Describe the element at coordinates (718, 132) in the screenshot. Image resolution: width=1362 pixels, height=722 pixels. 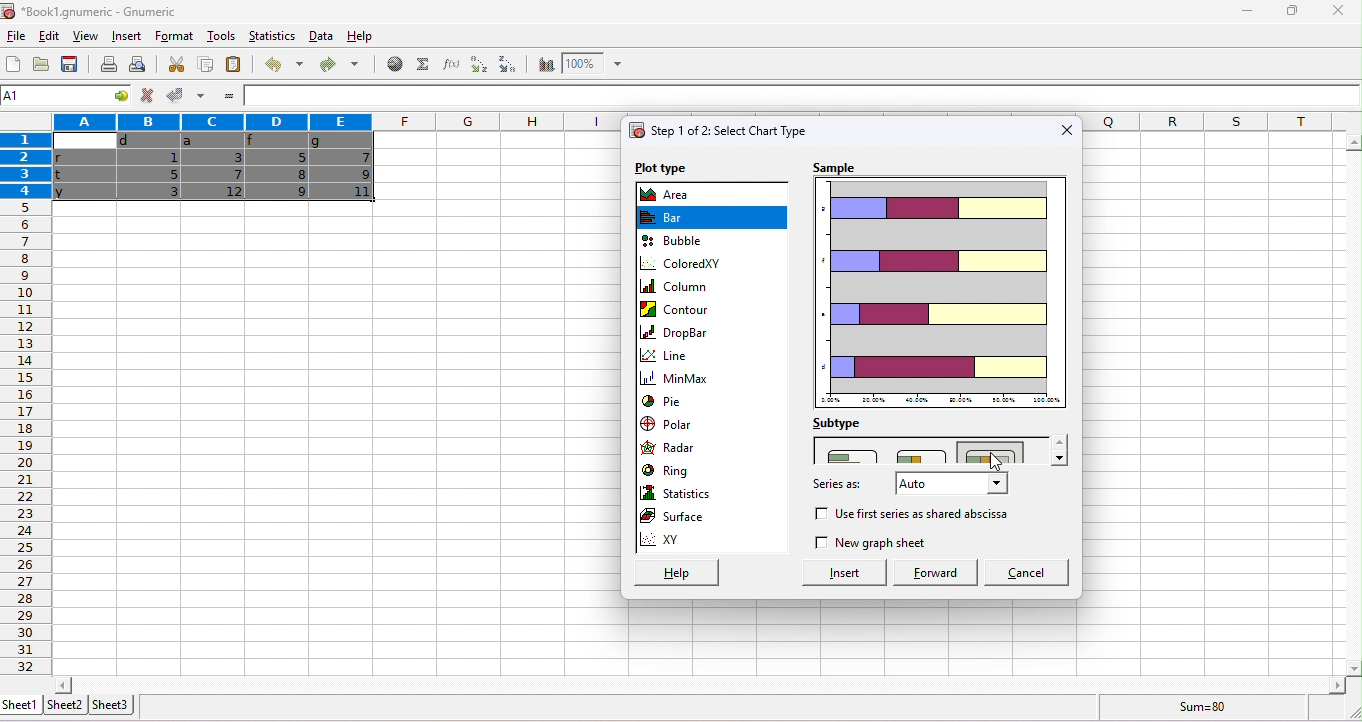
I see `select chart type` at that location.